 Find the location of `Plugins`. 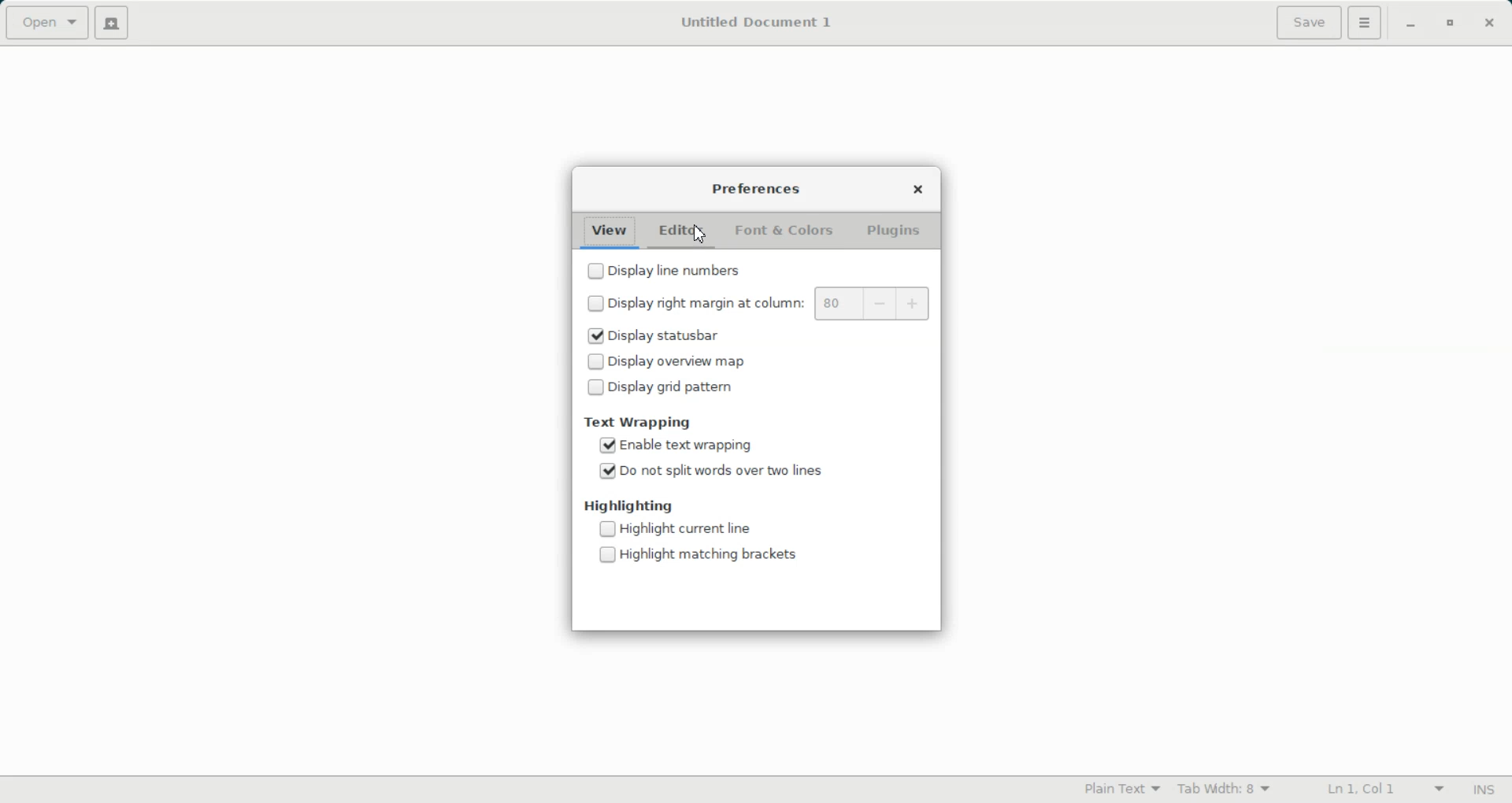

Plugins is located at coordinates (897, 231).